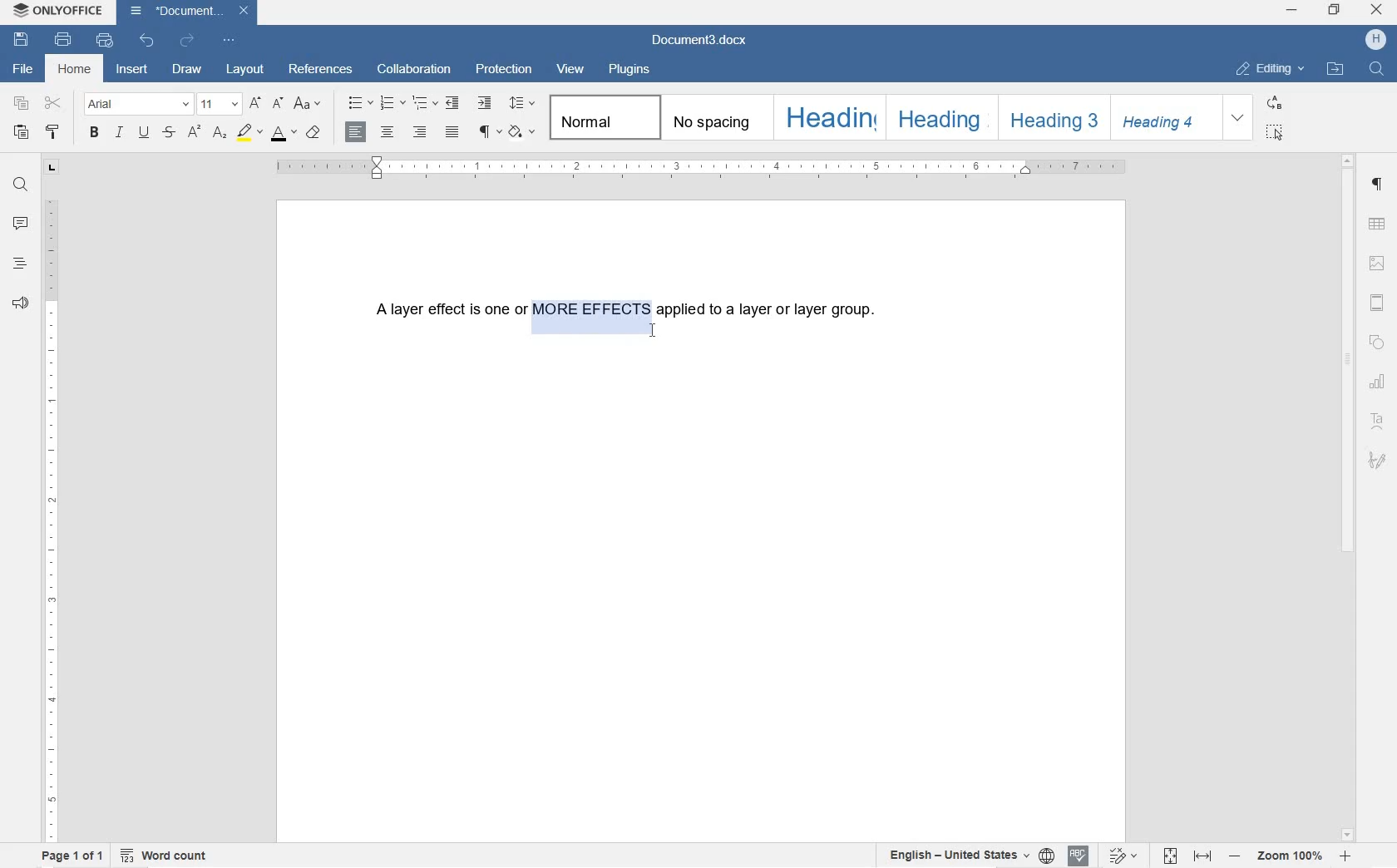 The image size is (1397, 868). Describe the element at coordinates (137, 103) in the screenshot. I see `FONT NAME` at that location.